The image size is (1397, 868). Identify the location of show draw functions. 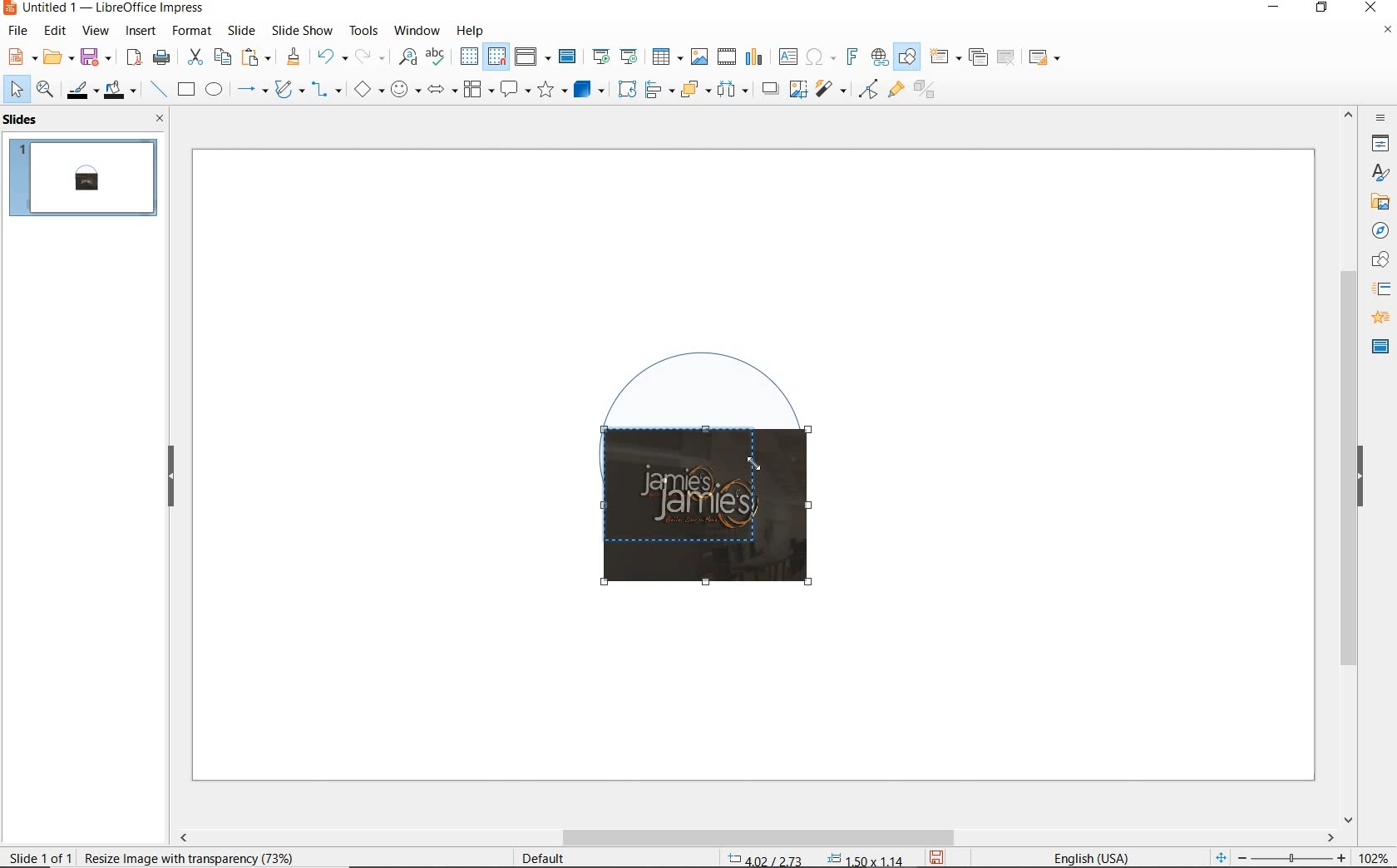
(907, 57).